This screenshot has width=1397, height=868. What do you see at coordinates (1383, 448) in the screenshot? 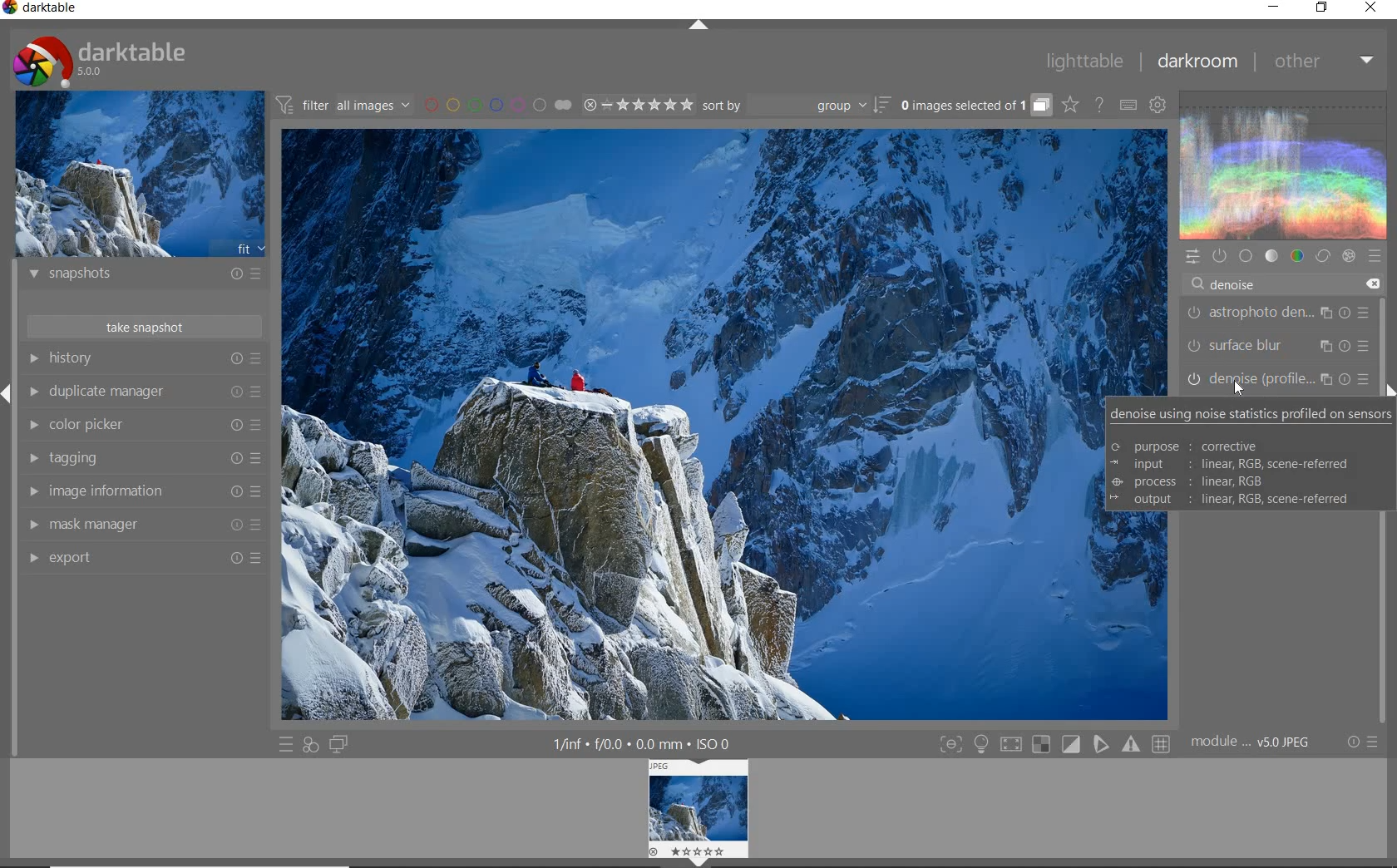
I see `scrollbar` at bounding box center [1383, 448].